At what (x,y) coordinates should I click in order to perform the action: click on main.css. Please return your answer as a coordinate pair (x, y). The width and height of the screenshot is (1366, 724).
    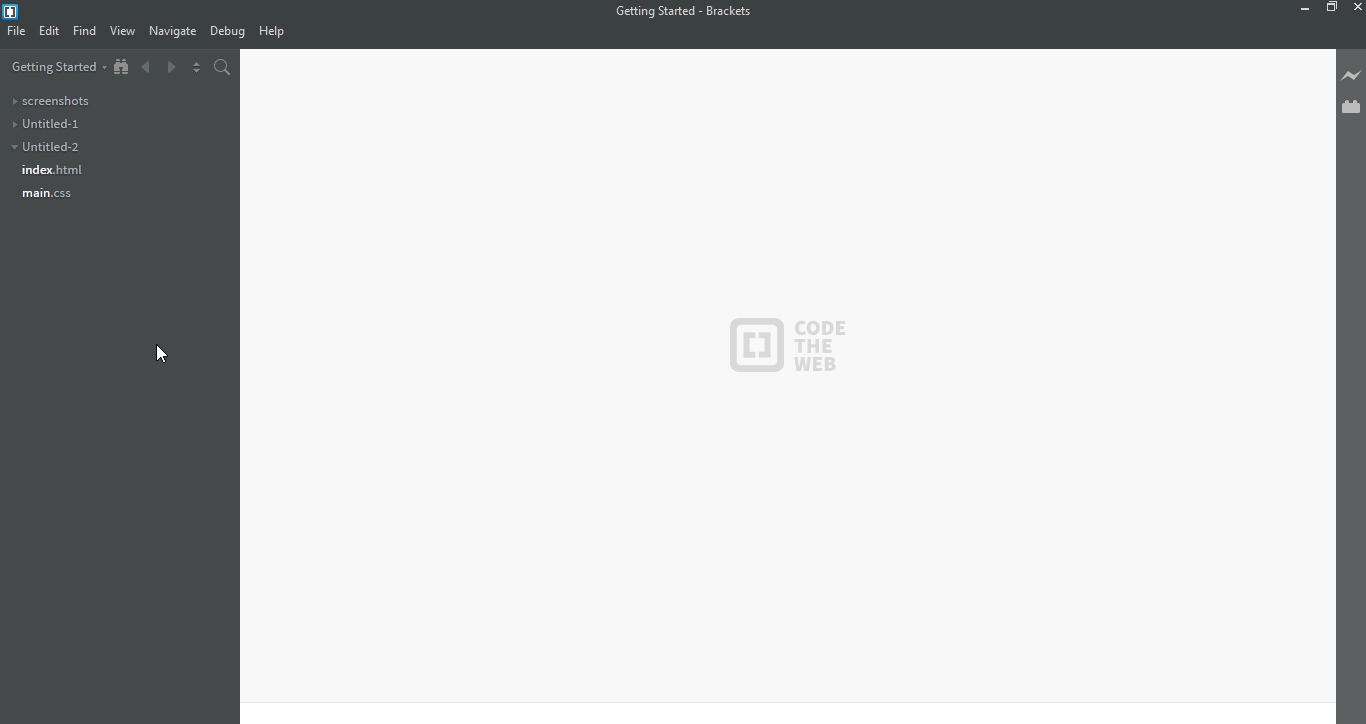
    Looking at the image, I should click on (47, 195).